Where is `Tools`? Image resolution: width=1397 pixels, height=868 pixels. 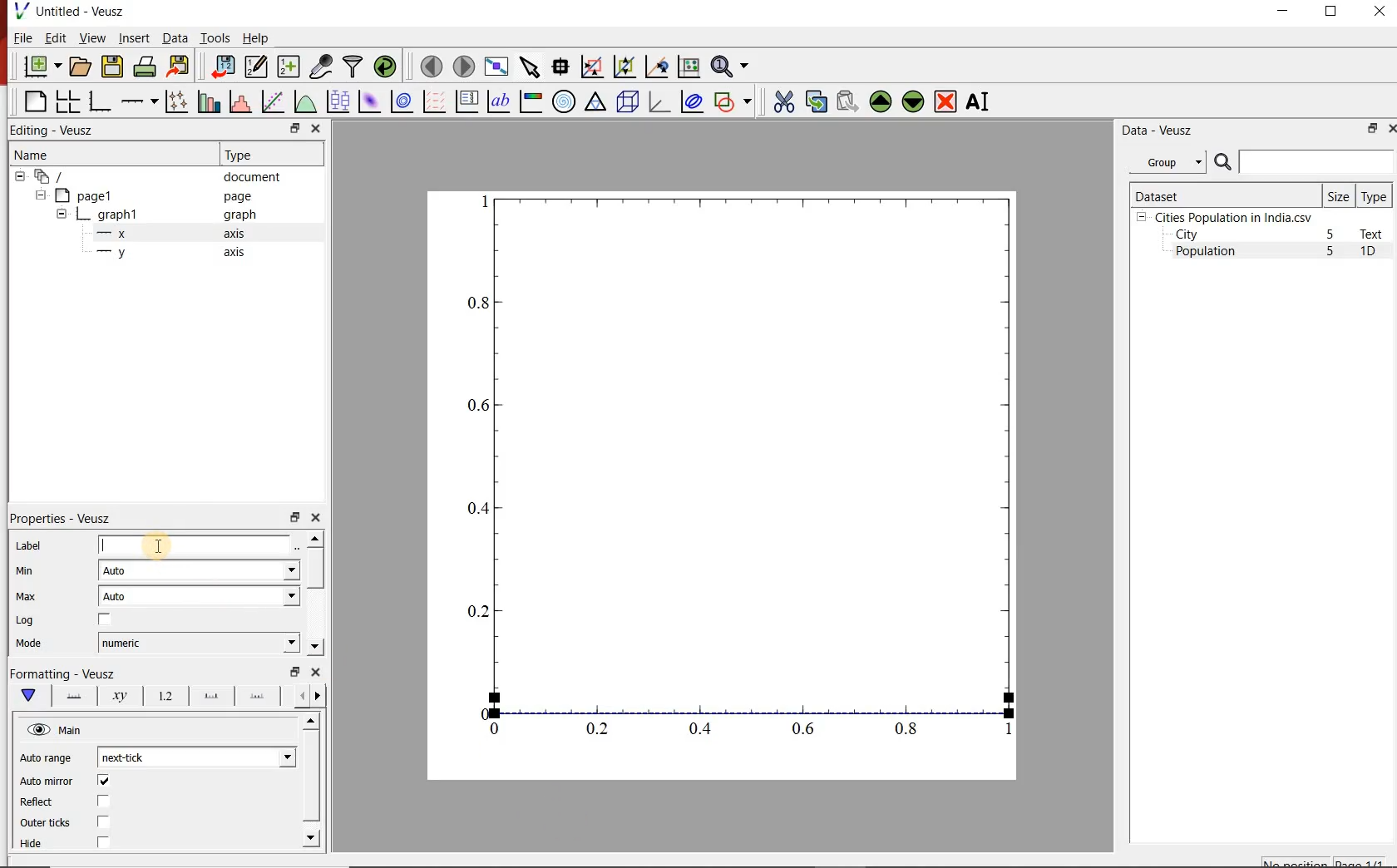
Tools is located at coordinates (214, 37).